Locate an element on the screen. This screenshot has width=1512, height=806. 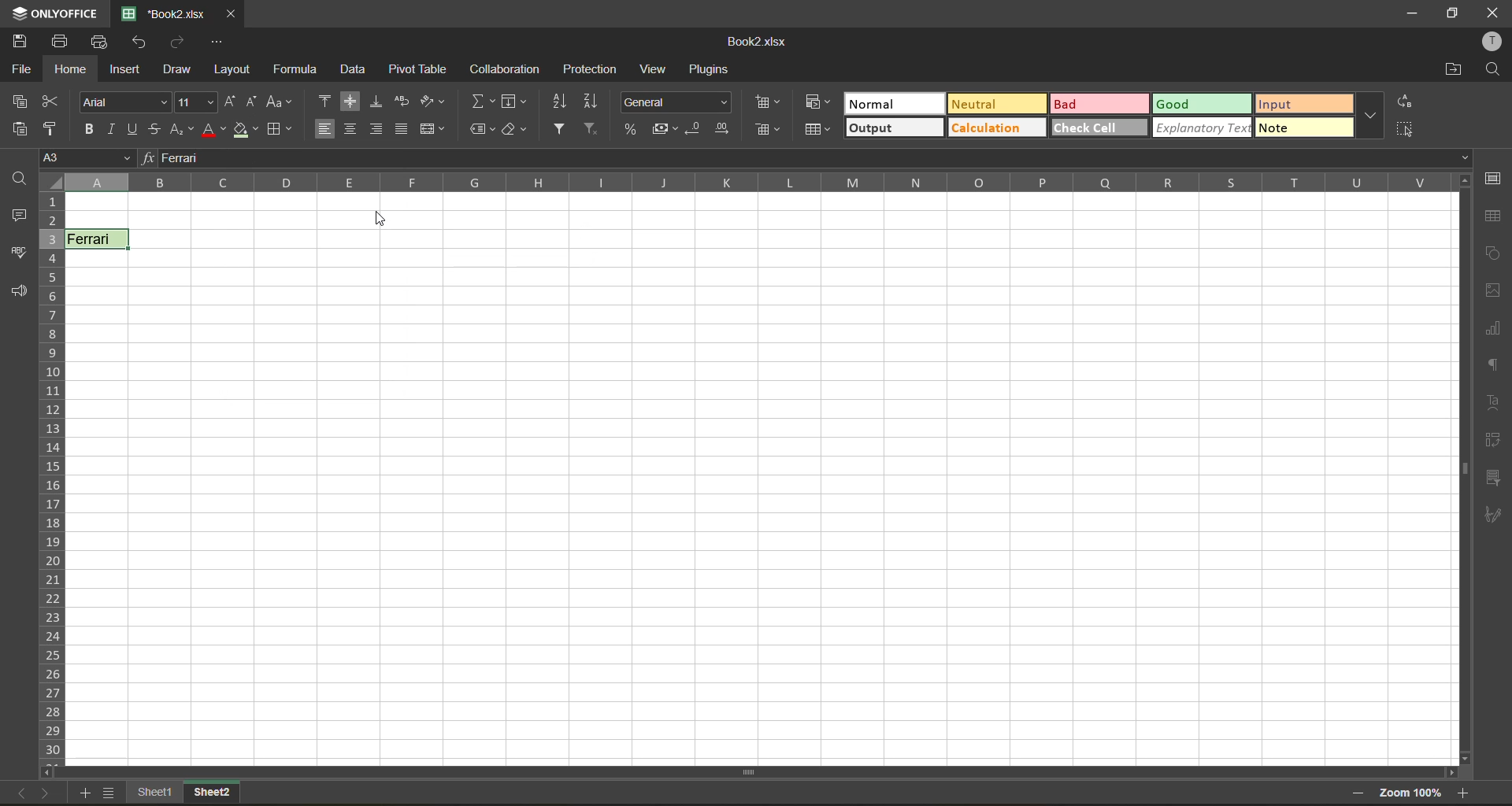
summation is located at coordinates (483, 103).